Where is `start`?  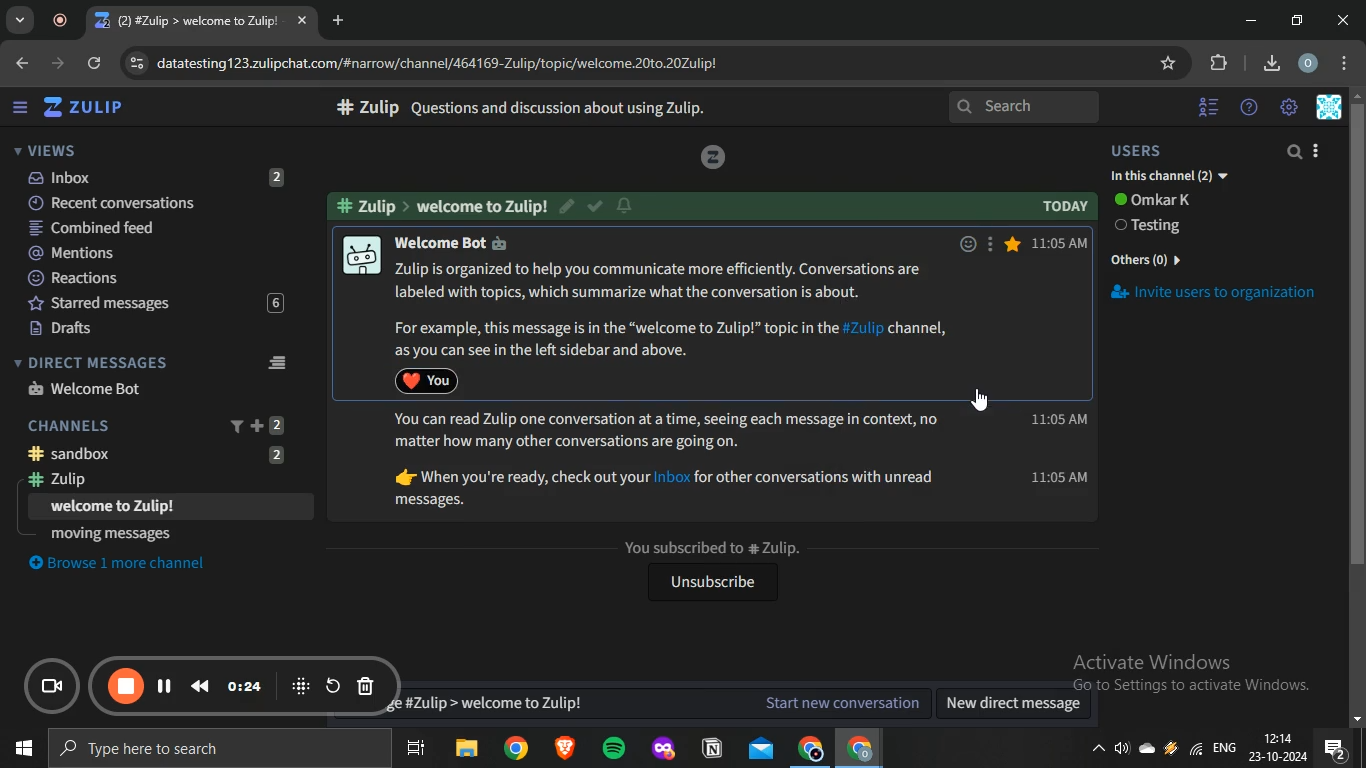 start is located at coordinates (20, 751).